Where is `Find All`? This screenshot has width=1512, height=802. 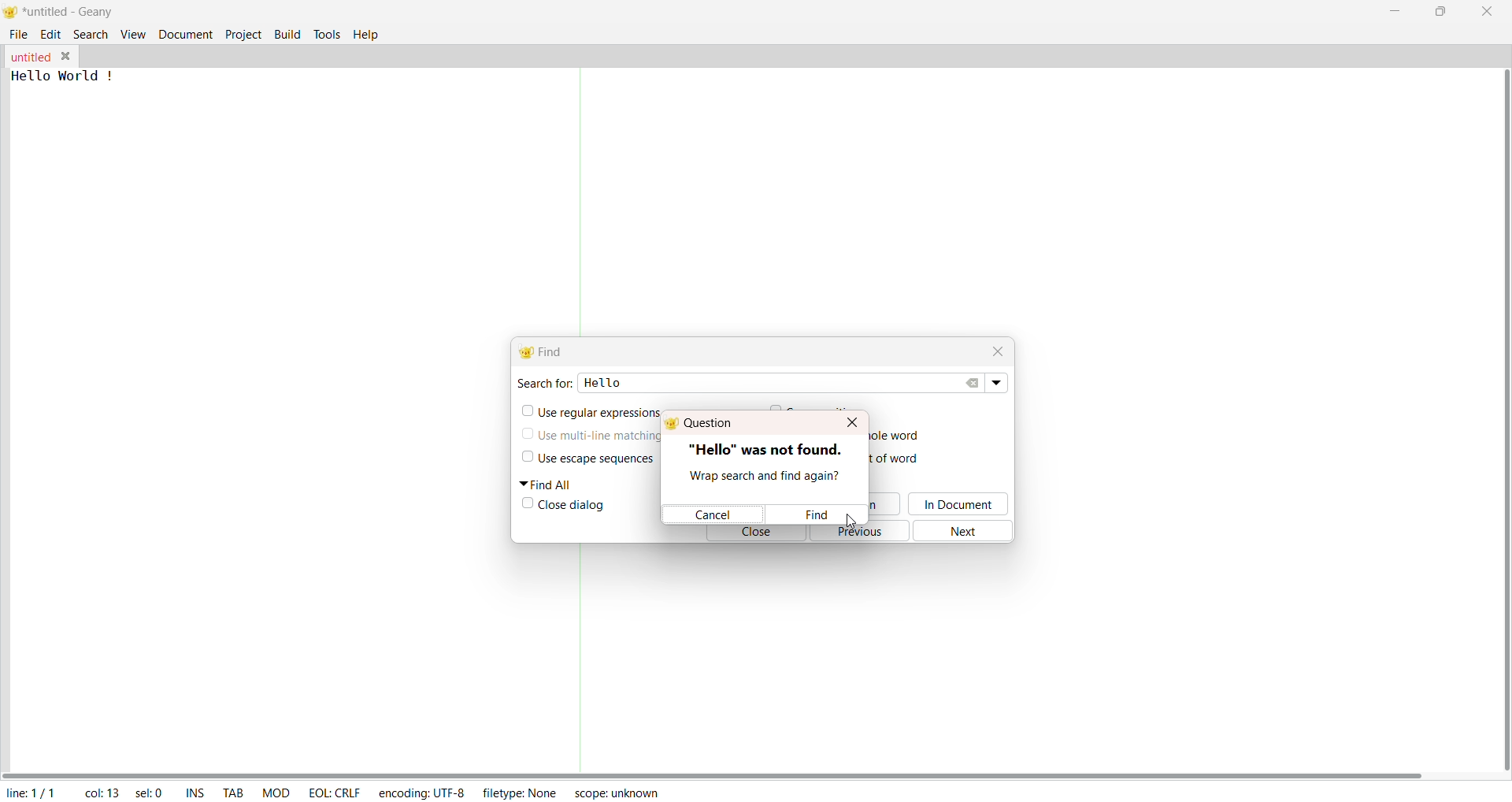 Find All is located at coordinates (551, 485).